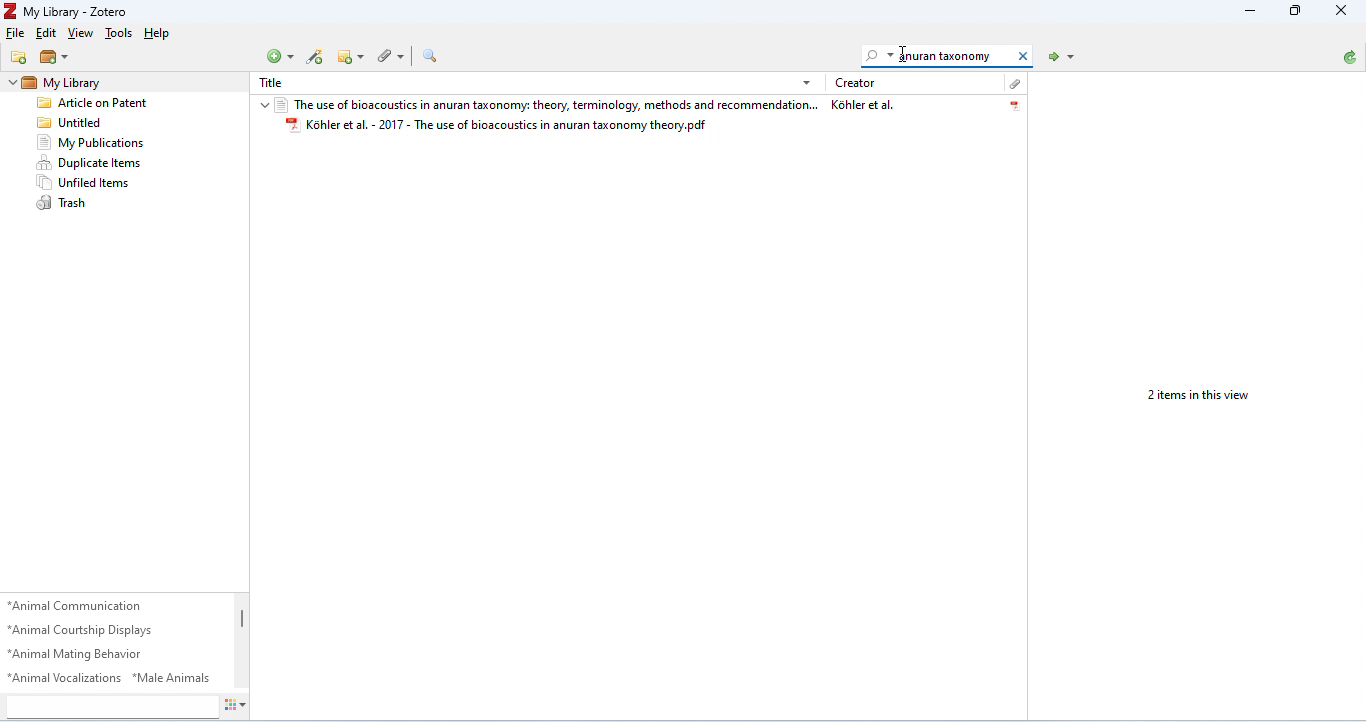 This screenshot has height=722, width=1366. What do you see at coordinates (86, 654) in the screenshot?
I see `*Animal Mating Behavior` at bounding box center [86, 654].